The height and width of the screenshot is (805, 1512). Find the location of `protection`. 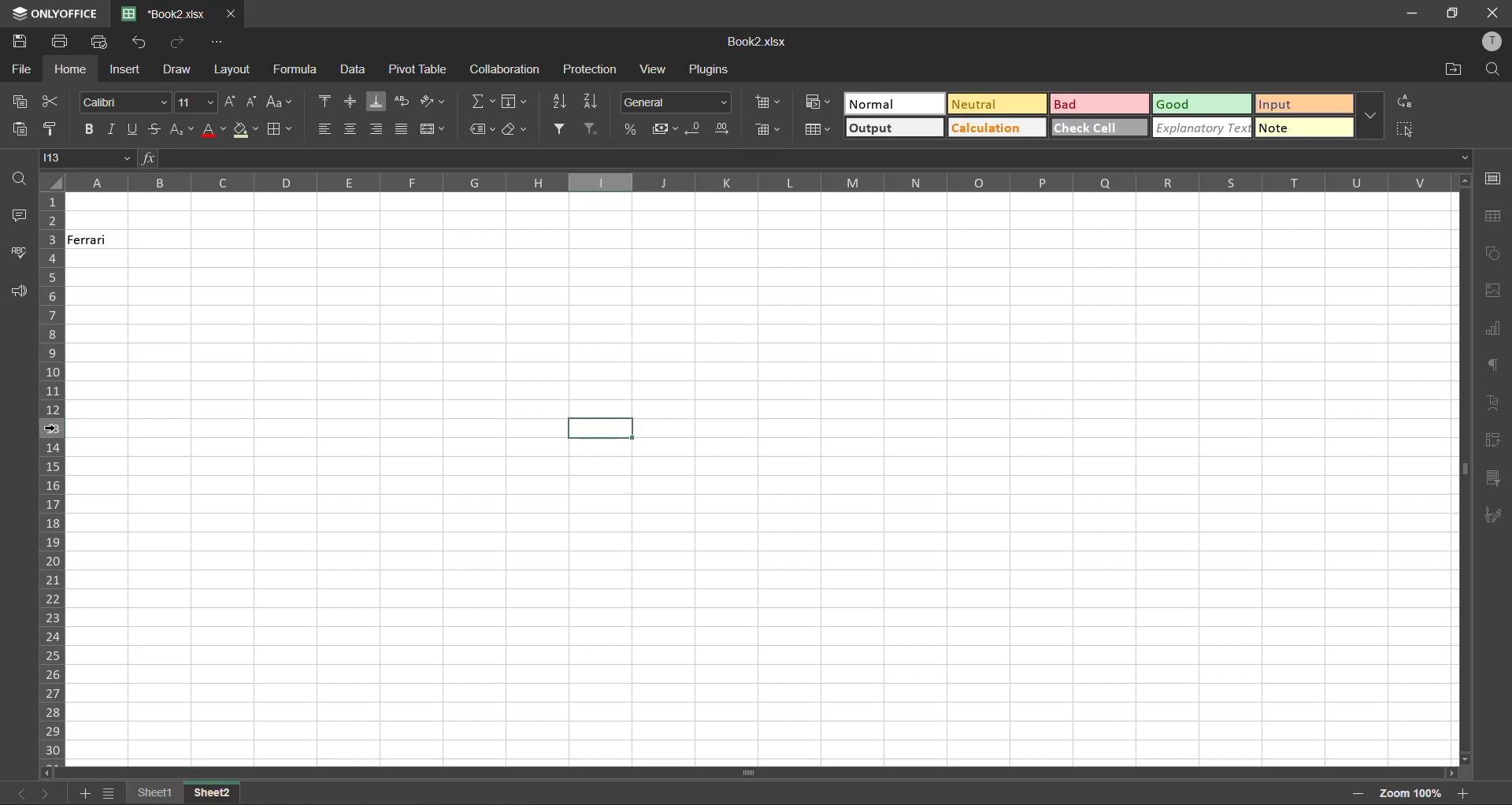

protection is located at coordinates (593, 70).